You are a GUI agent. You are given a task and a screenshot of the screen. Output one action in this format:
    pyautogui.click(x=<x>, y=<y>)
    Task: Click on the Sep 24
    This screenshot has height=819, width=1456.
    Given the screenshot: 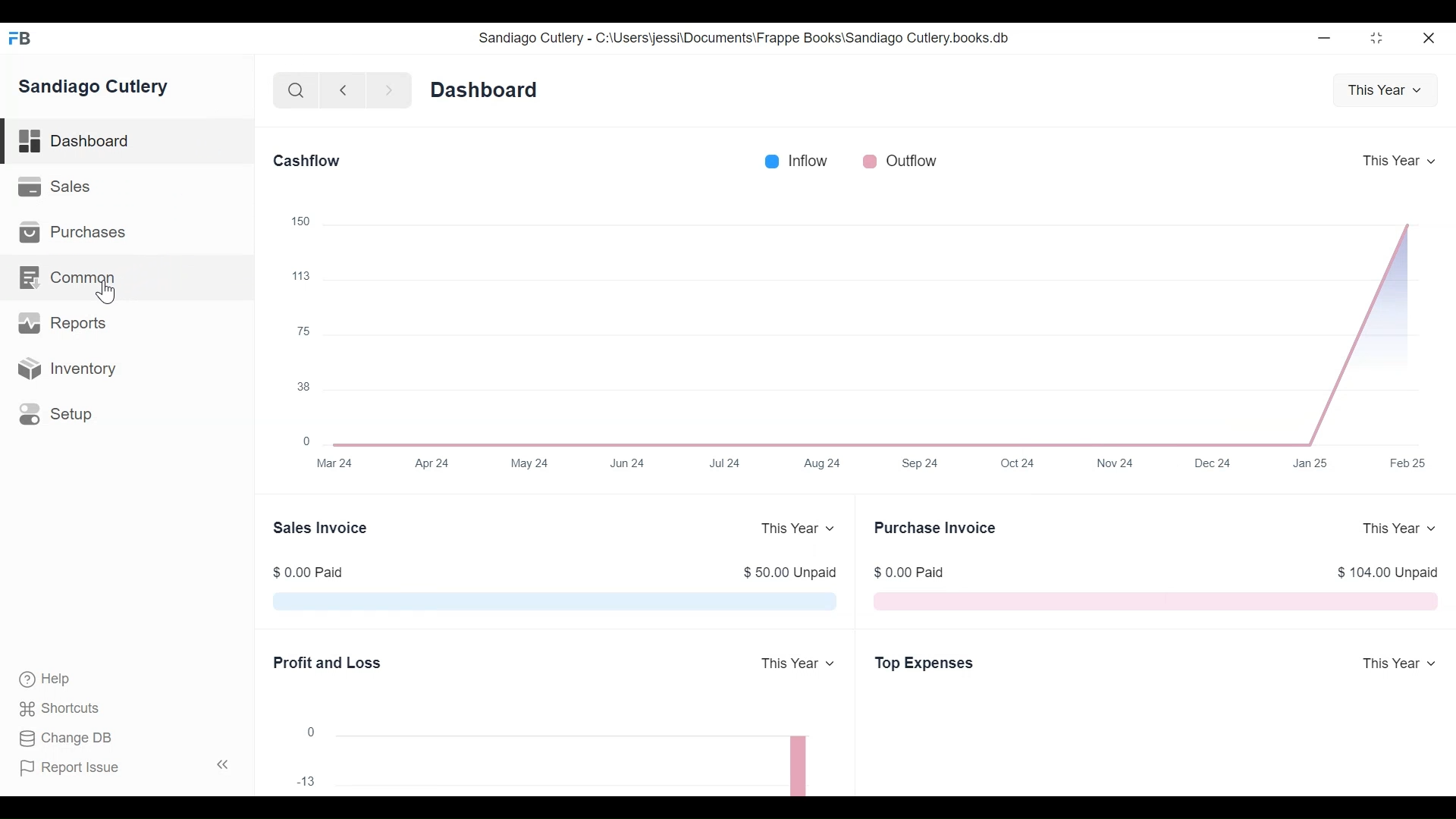 What is the action you would take?
    pyautogui.click(x=924, y=463)
    